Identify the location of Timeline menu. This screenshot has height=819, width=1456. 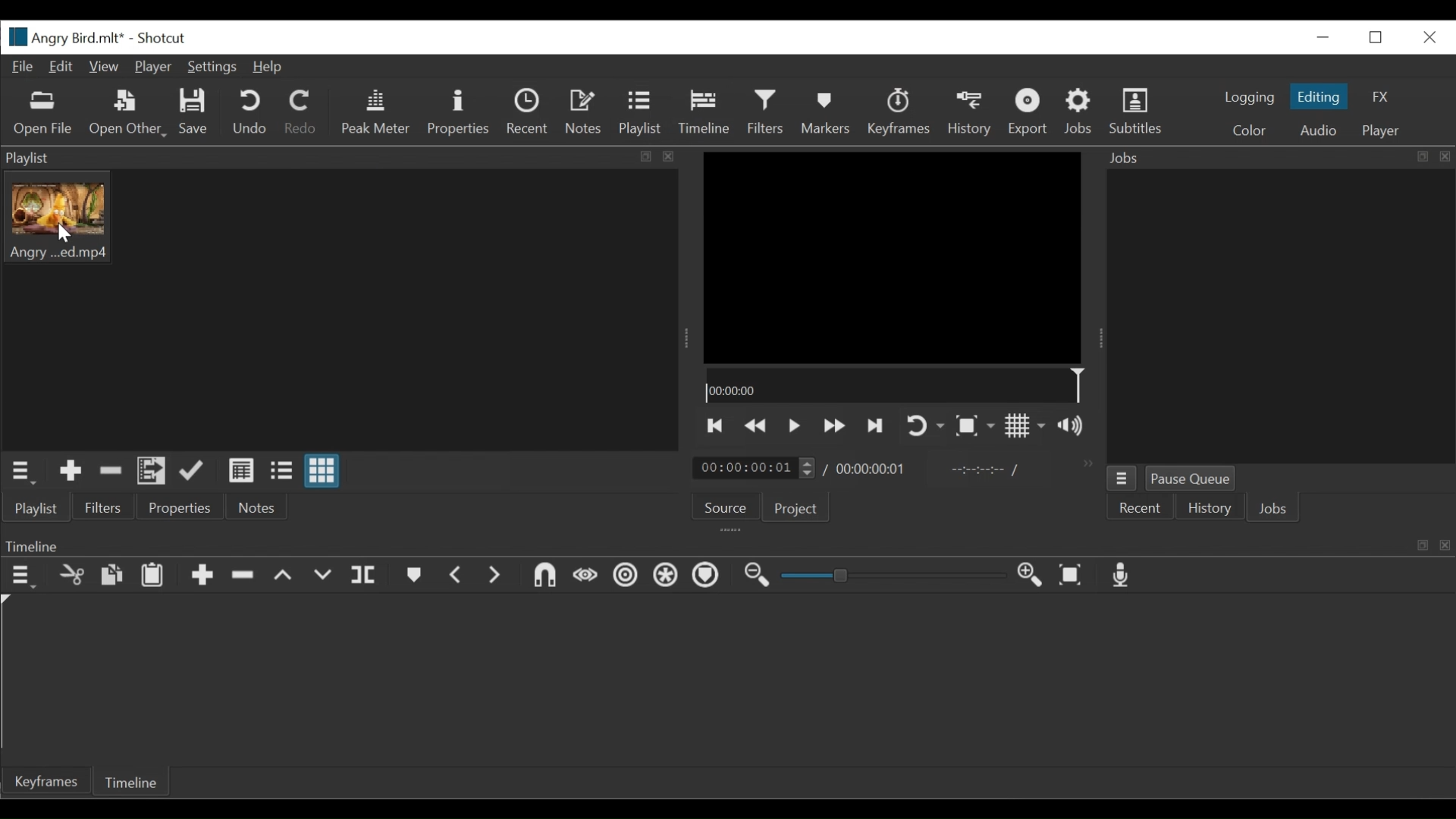
(21, 577).